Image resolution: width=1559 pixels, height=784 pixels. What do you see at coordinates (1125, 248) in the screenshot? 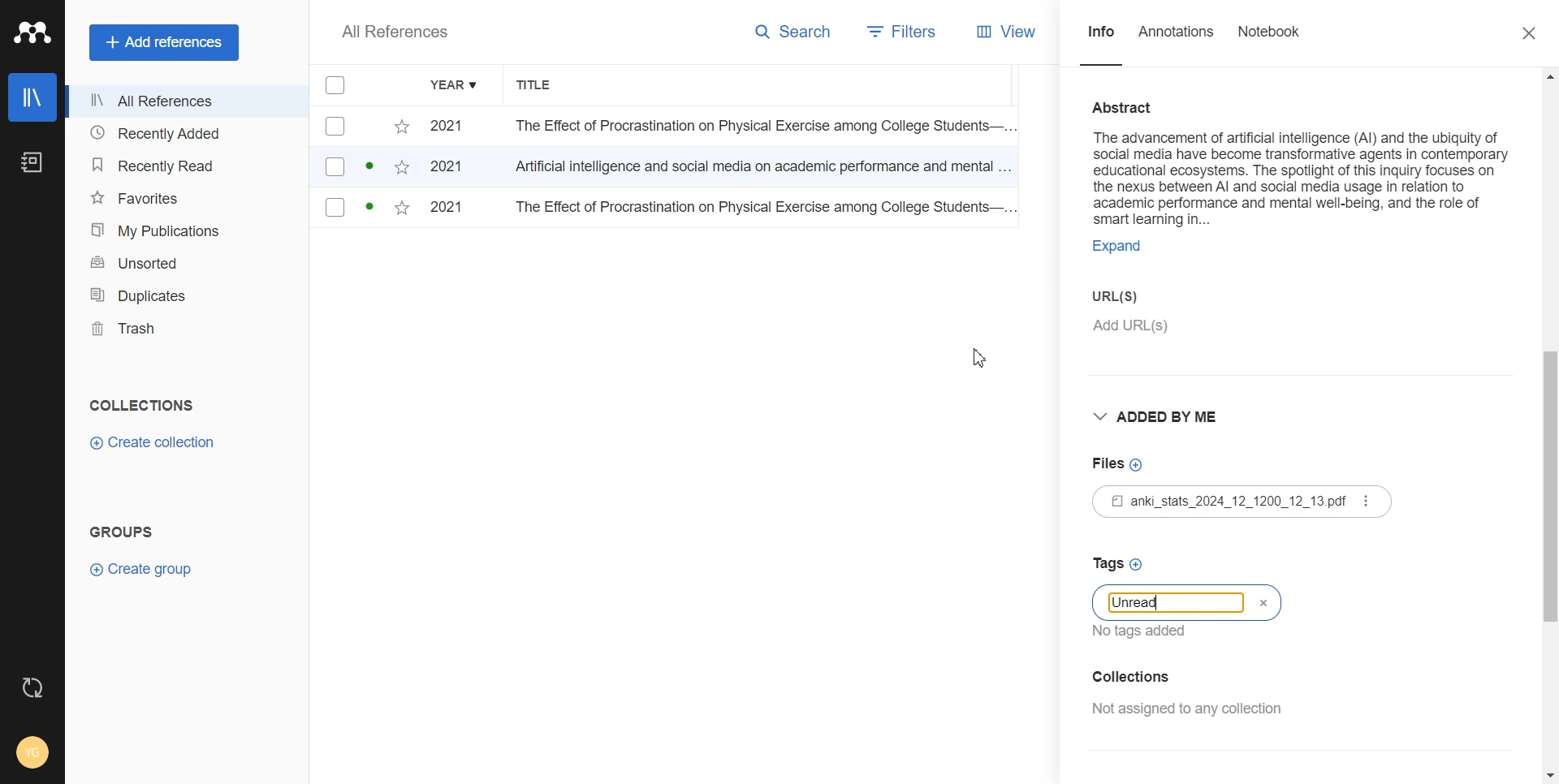
I see `EXPAND` at bounding box center [1125, 248].